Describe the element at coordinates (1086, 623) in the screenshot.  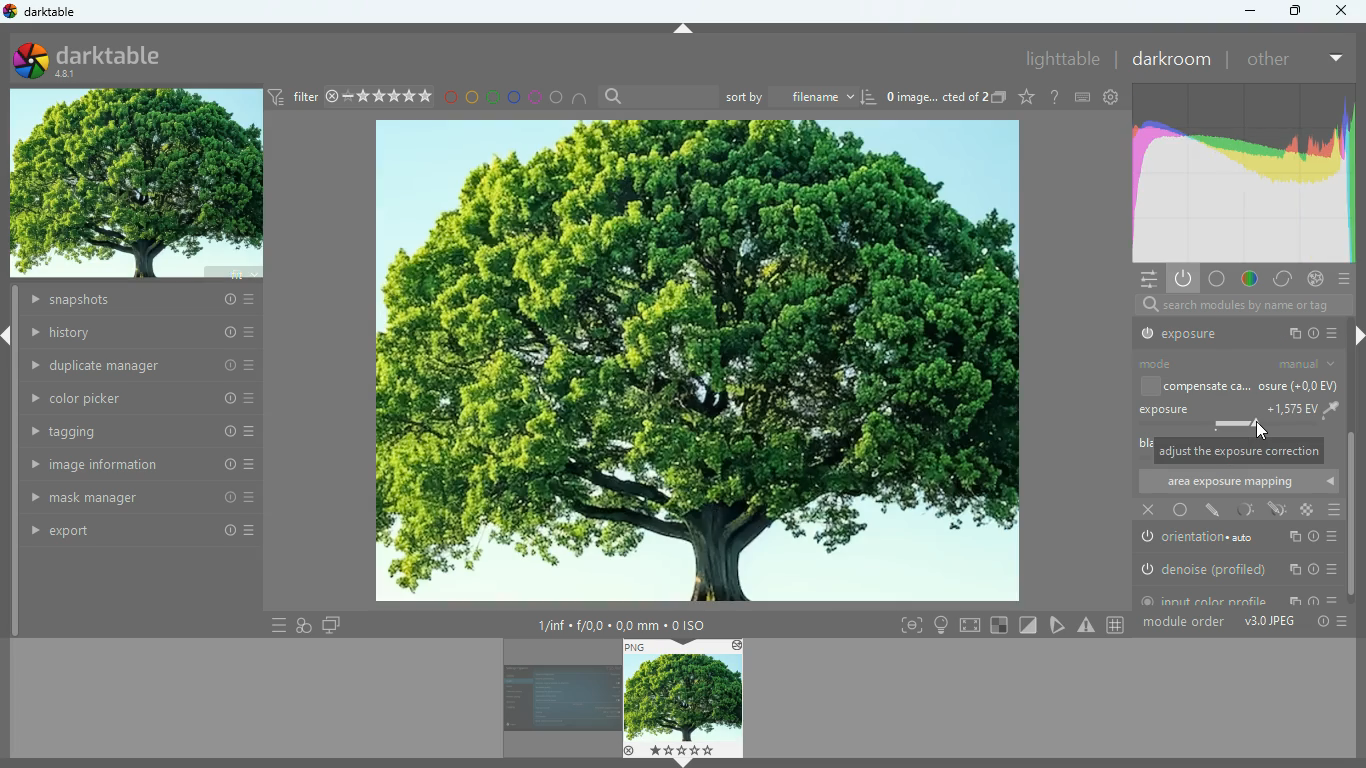
I see `warning` at that location.